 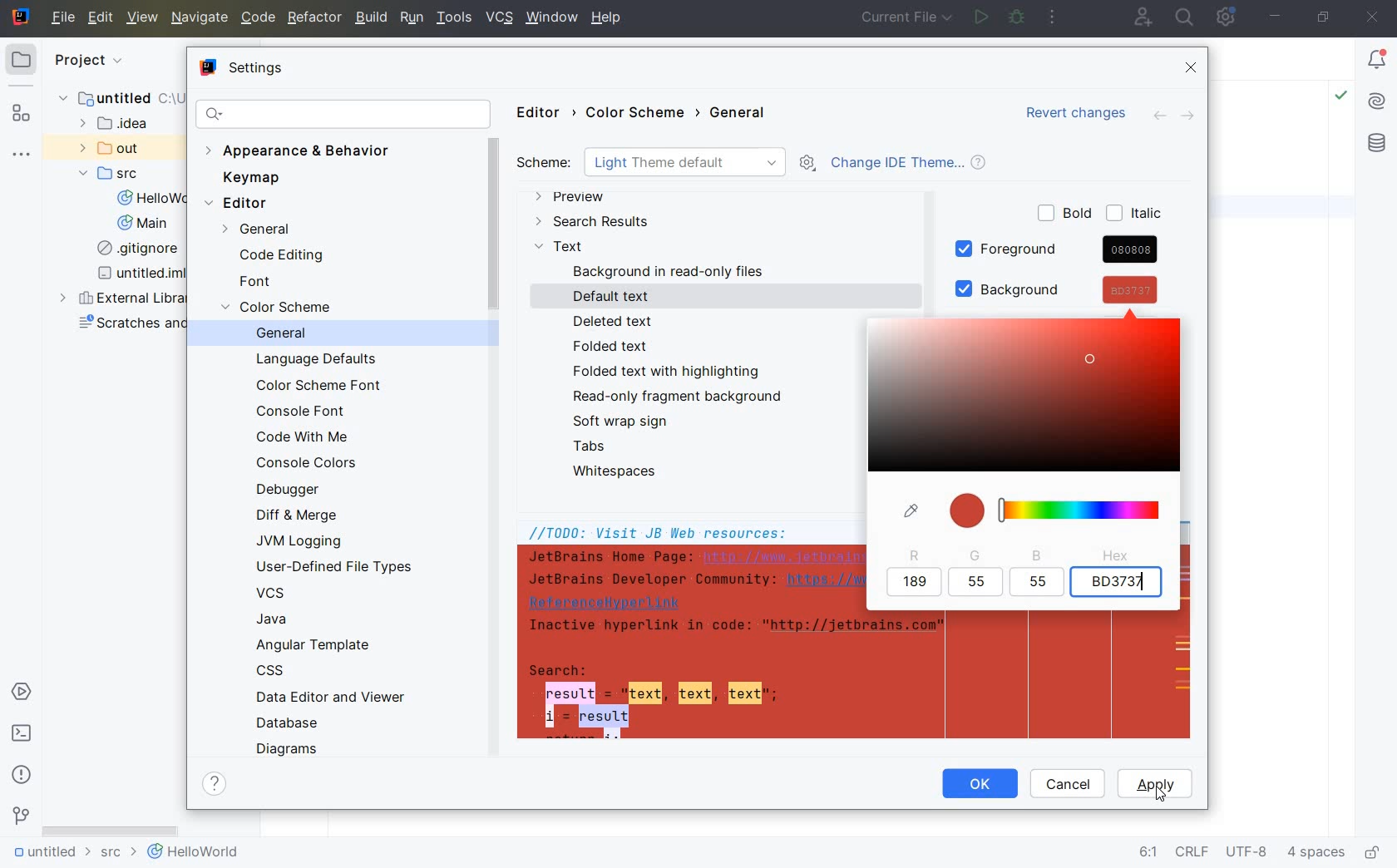 I want to click on scrollbar, so click(x=111, y=827).